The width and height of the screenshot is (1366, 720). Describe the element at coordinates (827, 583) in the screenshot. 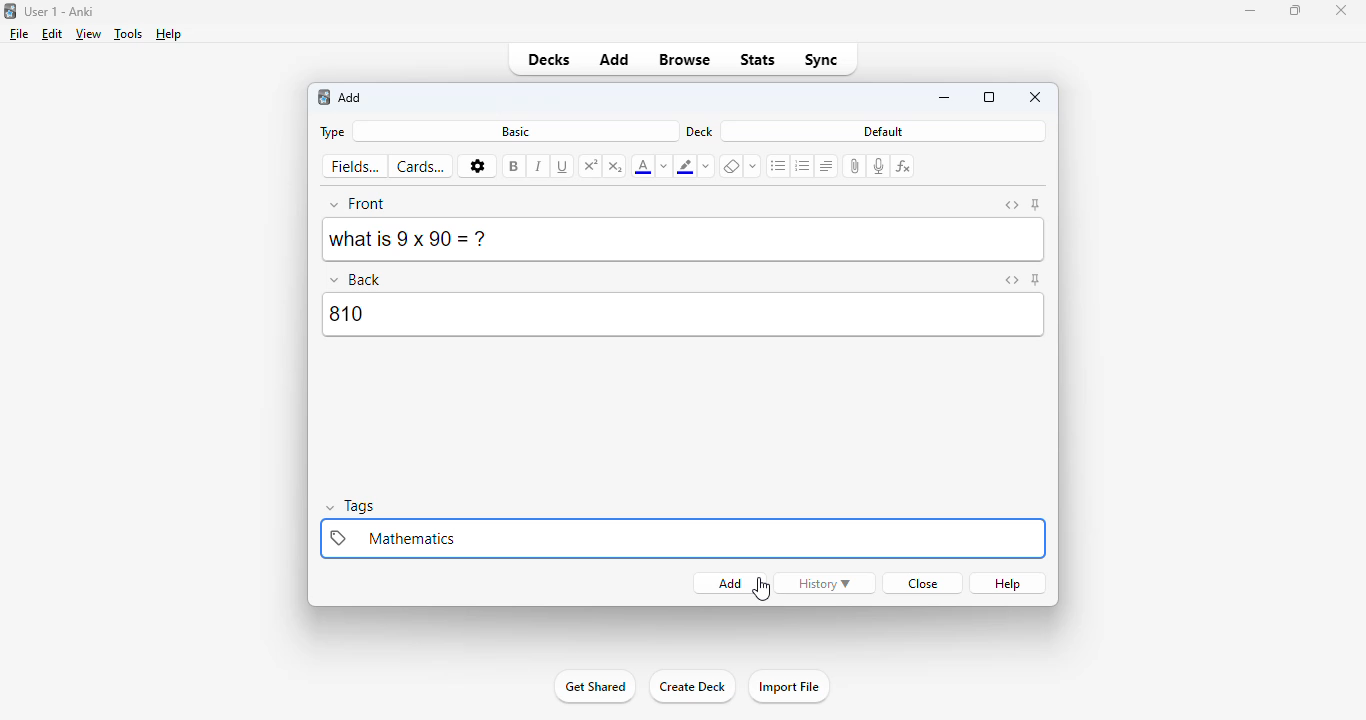

I see `history` at that location.